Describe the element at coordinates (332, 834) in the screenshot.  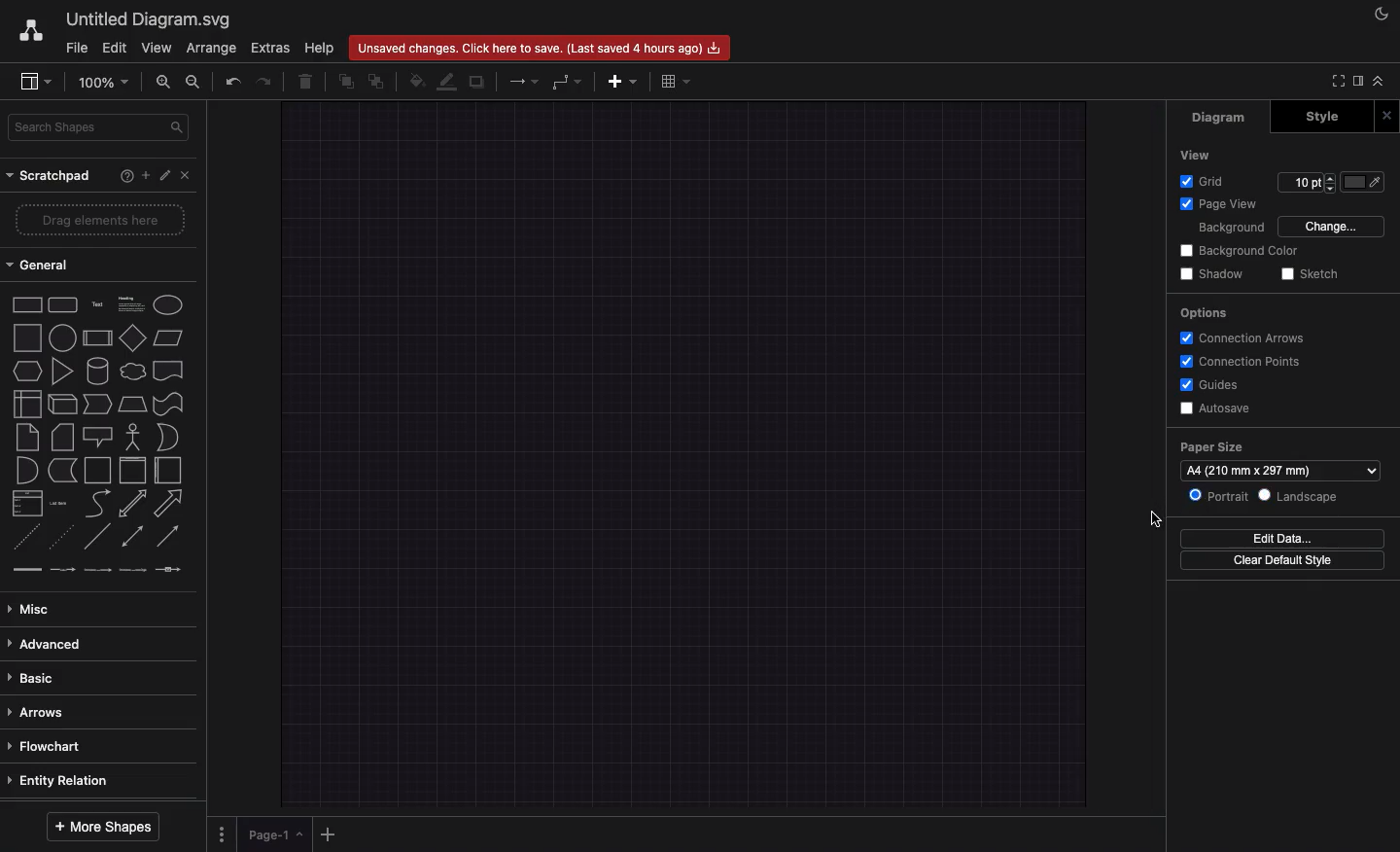
I see `Add` at that location.